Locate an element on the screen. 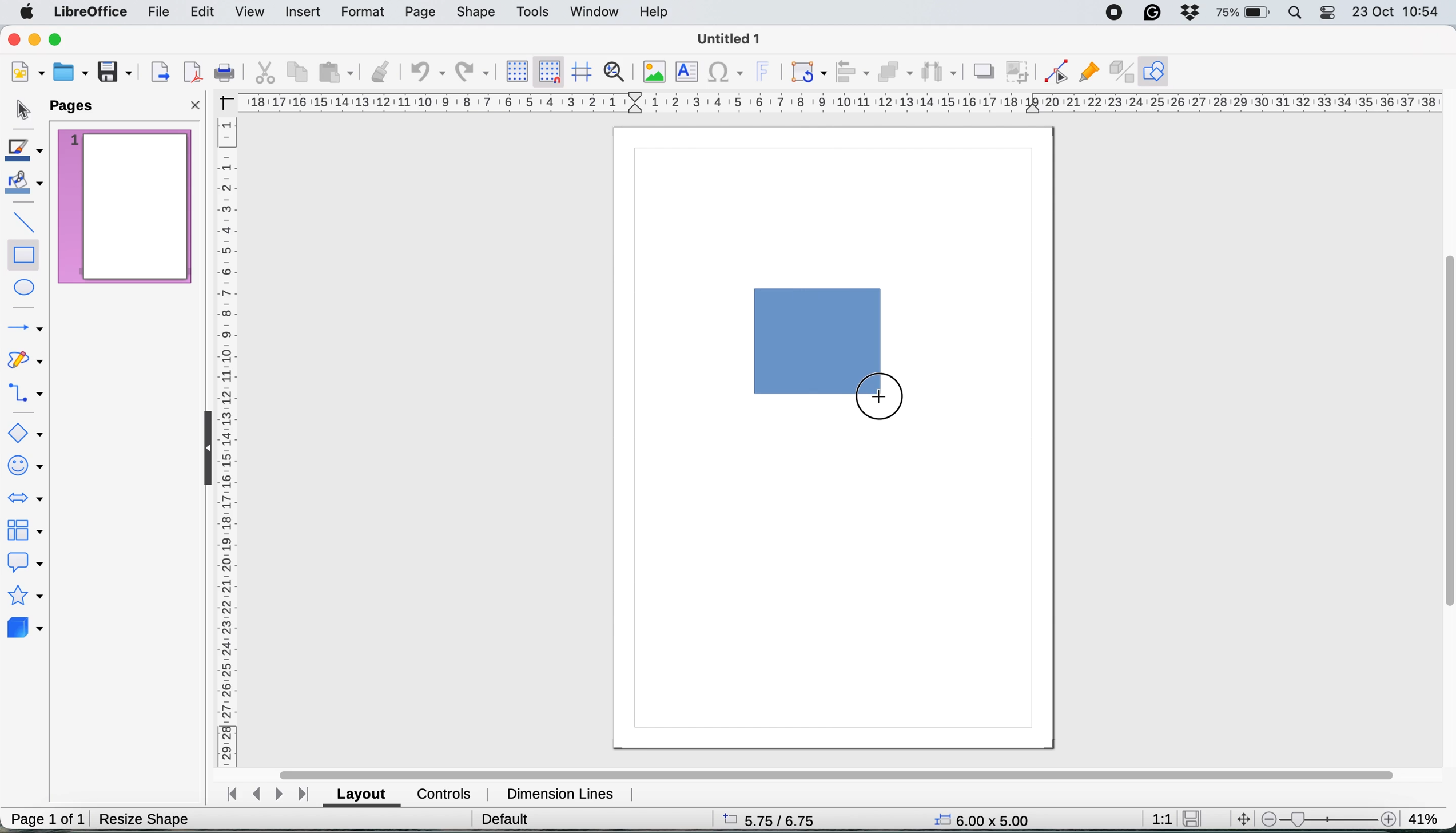  grammarly is located at coordinates (1152, 12).